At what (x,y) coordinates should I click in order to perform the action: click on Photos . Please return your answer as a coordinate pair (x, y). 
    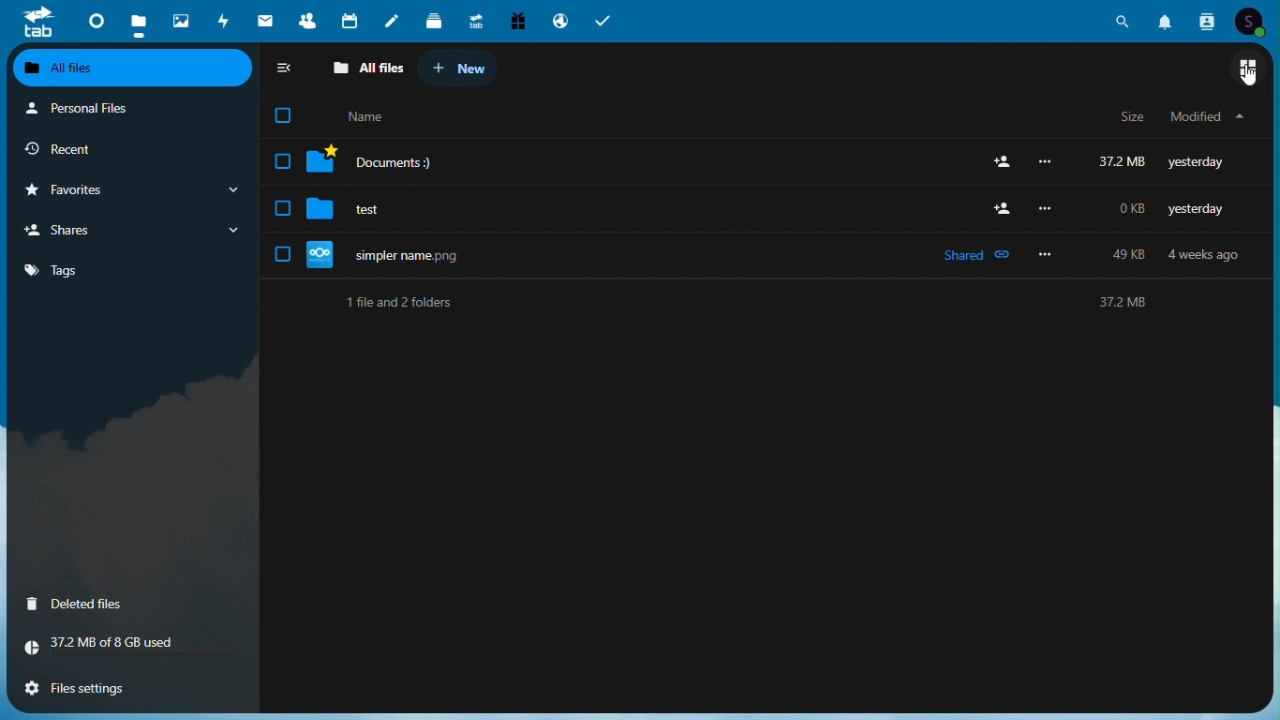
    Looking at the image, I should click on (179, 19).